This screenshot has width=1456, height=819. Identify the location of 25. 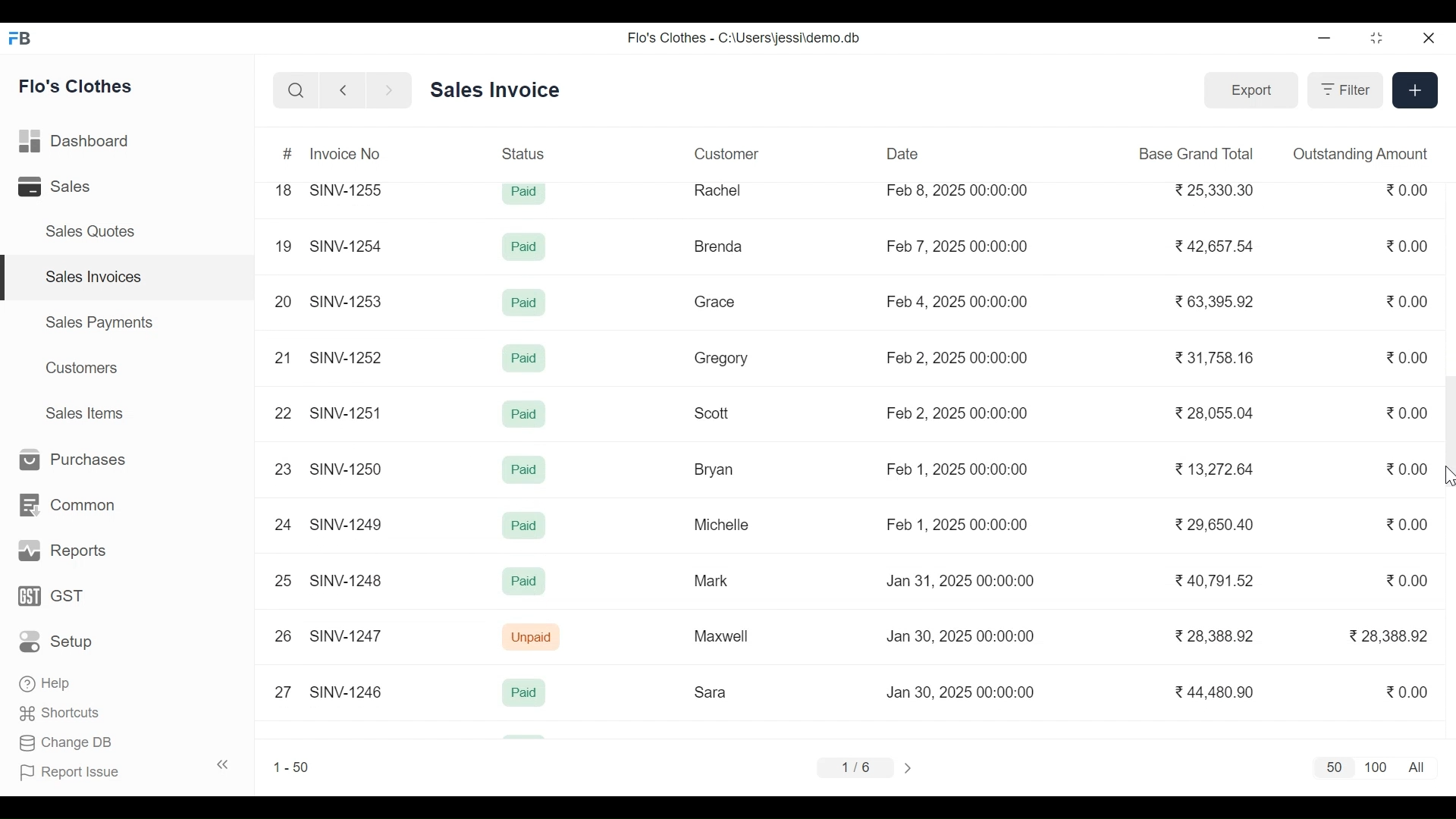
(283, 579).